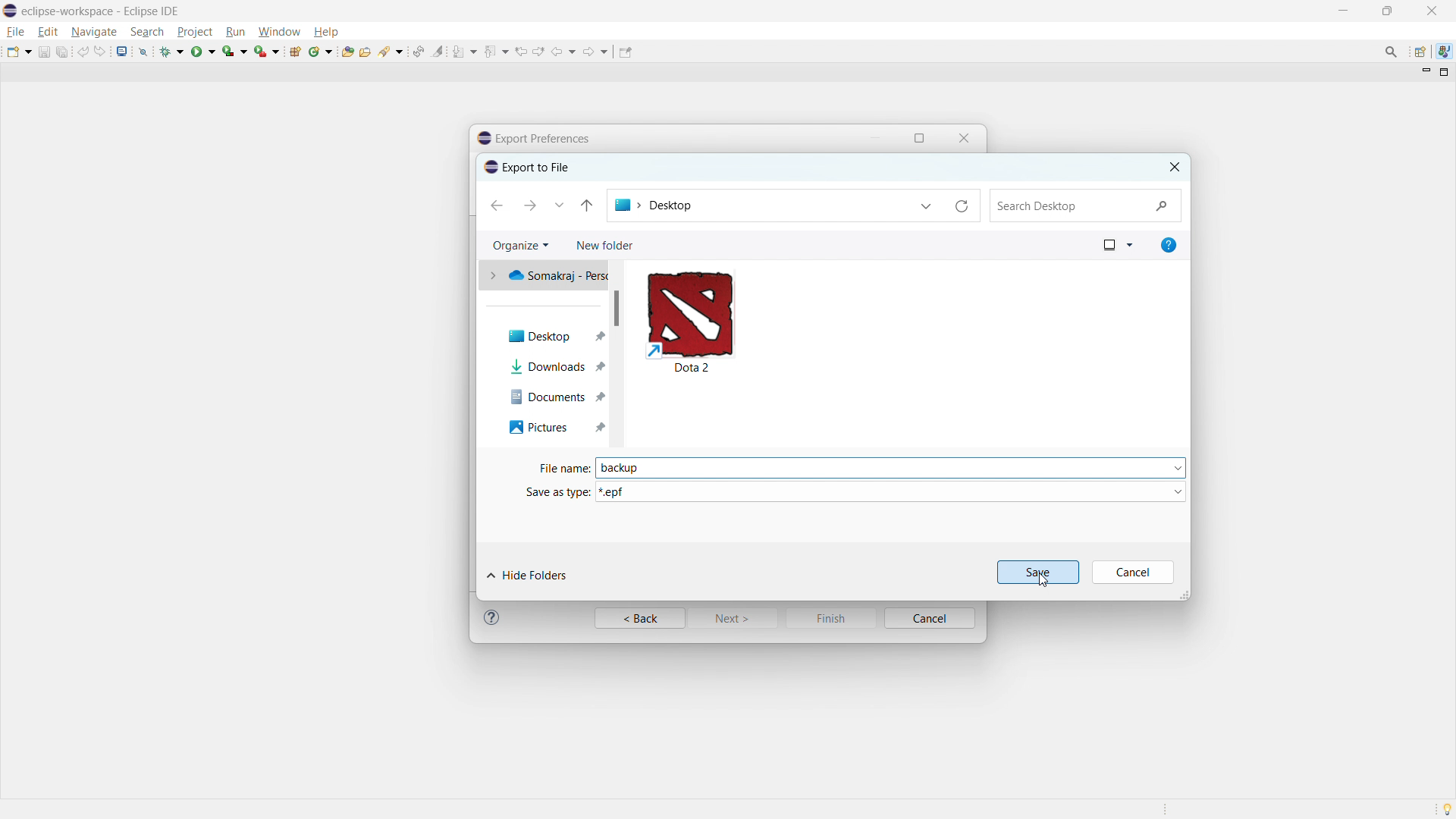 The width and height of the screenshot is (1456, 819). What do you see at coordinates (203, 52) in the screenshot?
I see `run` at bounding box center [203, 52].